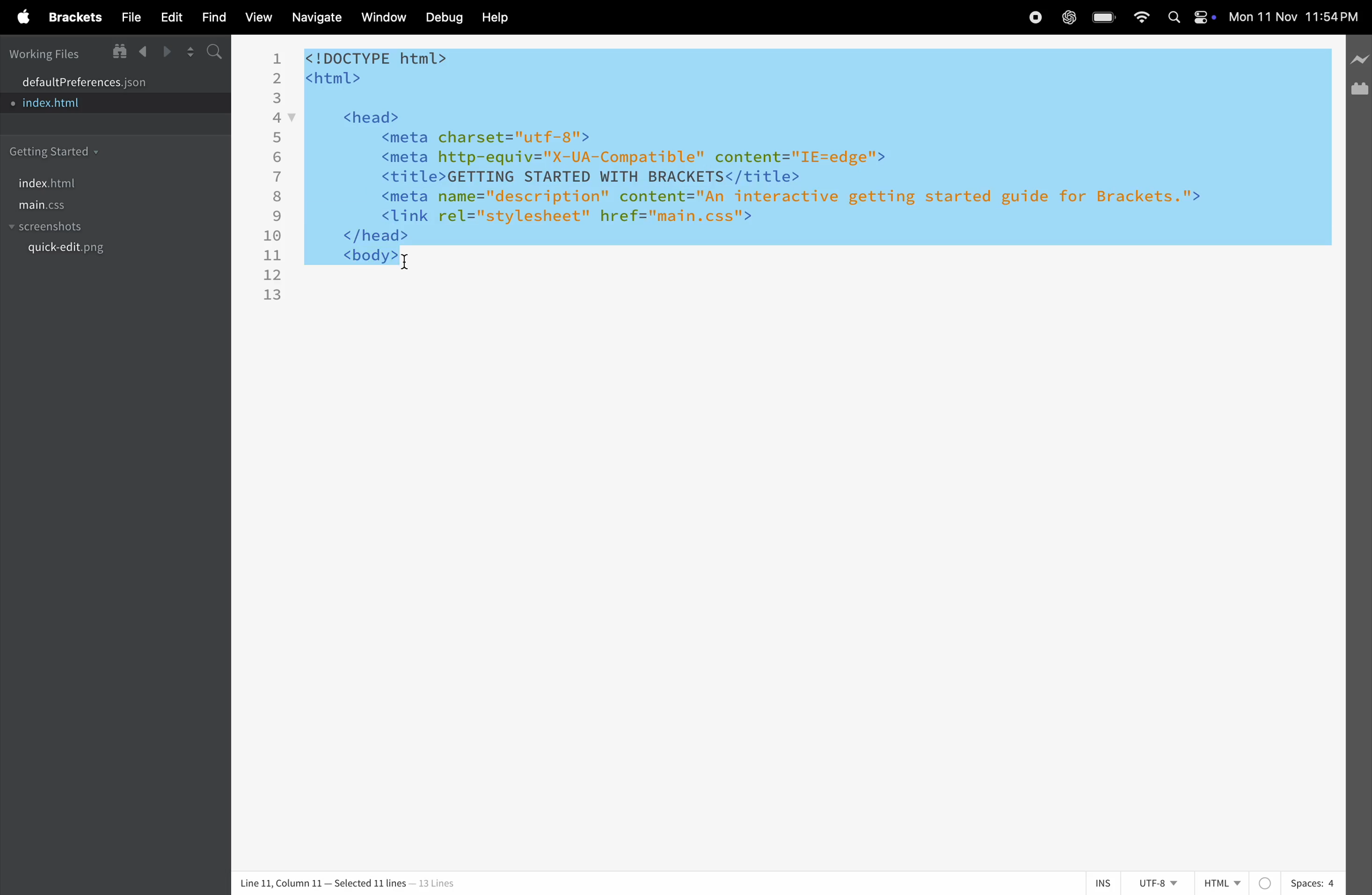 This screenshot has height=895, width=1372. What do you see at coordinates (274, 296) in the screenshot?
I see `13` at bounding box center [274, 296].